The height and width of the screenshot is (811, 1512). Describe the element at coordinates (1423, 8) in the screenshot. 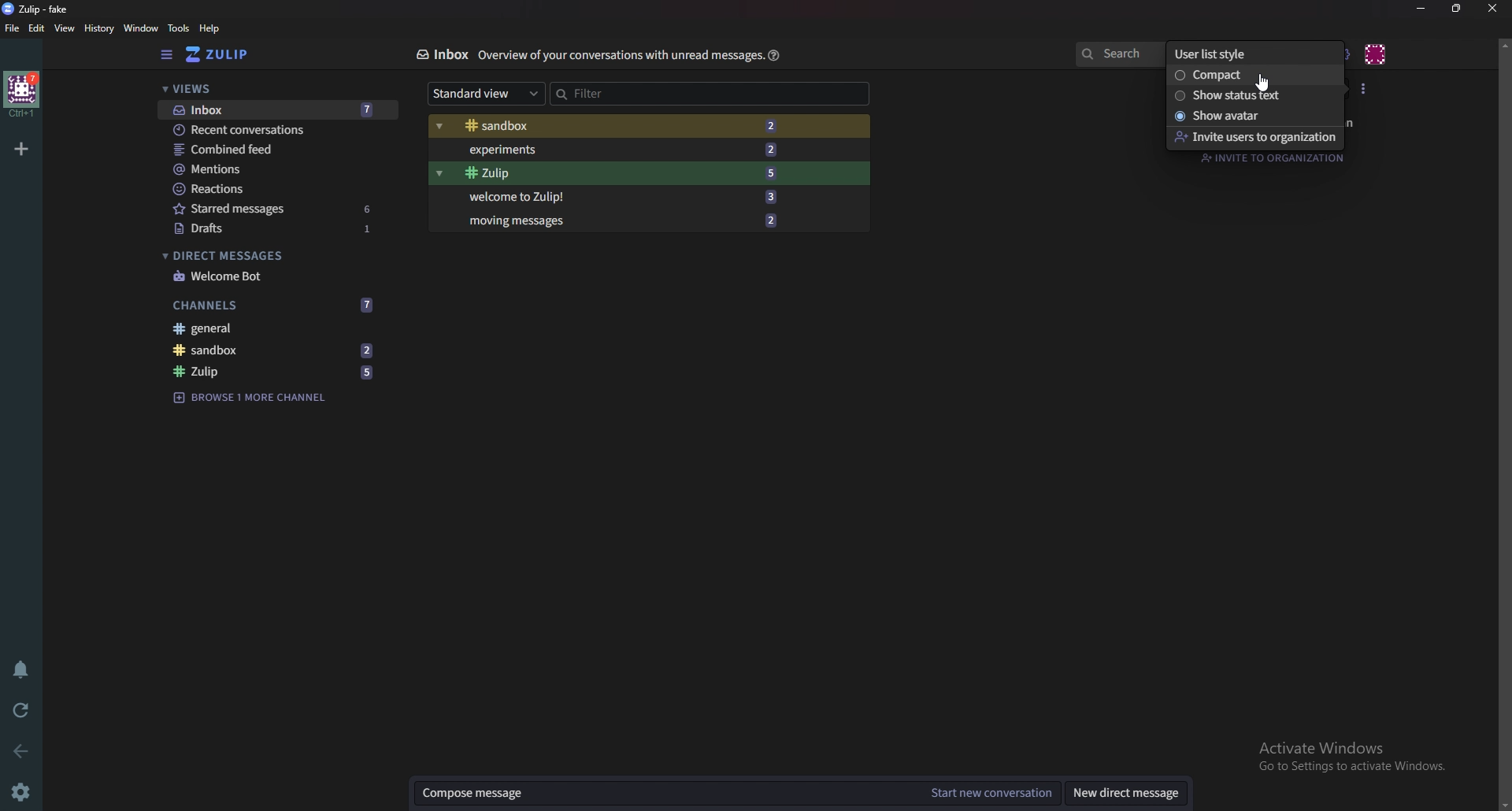

I see `Minimize` at that location.